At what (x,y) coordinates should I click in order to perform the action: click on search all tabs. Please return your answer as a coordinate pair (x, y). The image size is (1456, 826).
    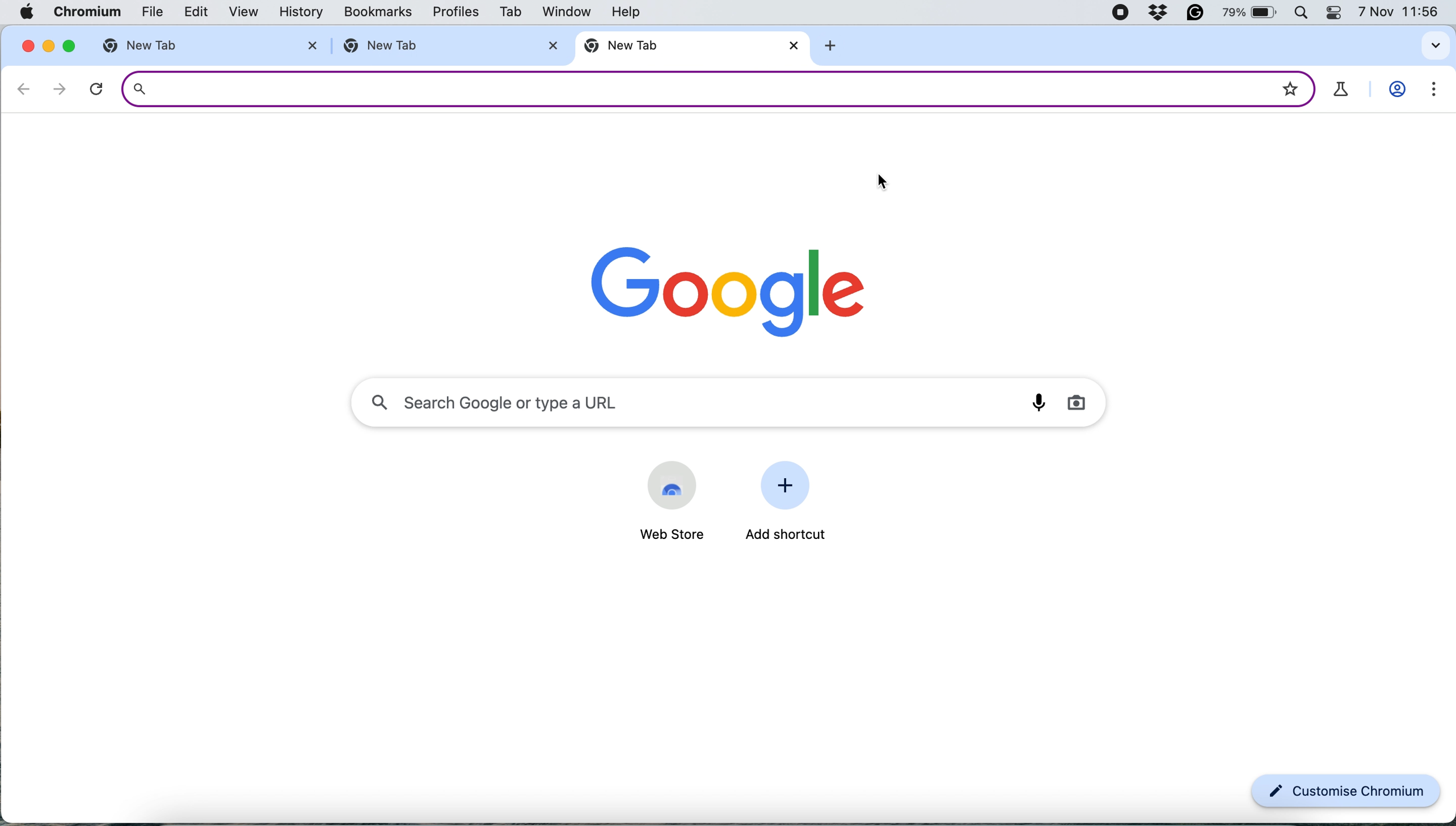
    Looking at the image, I should click on (1436, 45).